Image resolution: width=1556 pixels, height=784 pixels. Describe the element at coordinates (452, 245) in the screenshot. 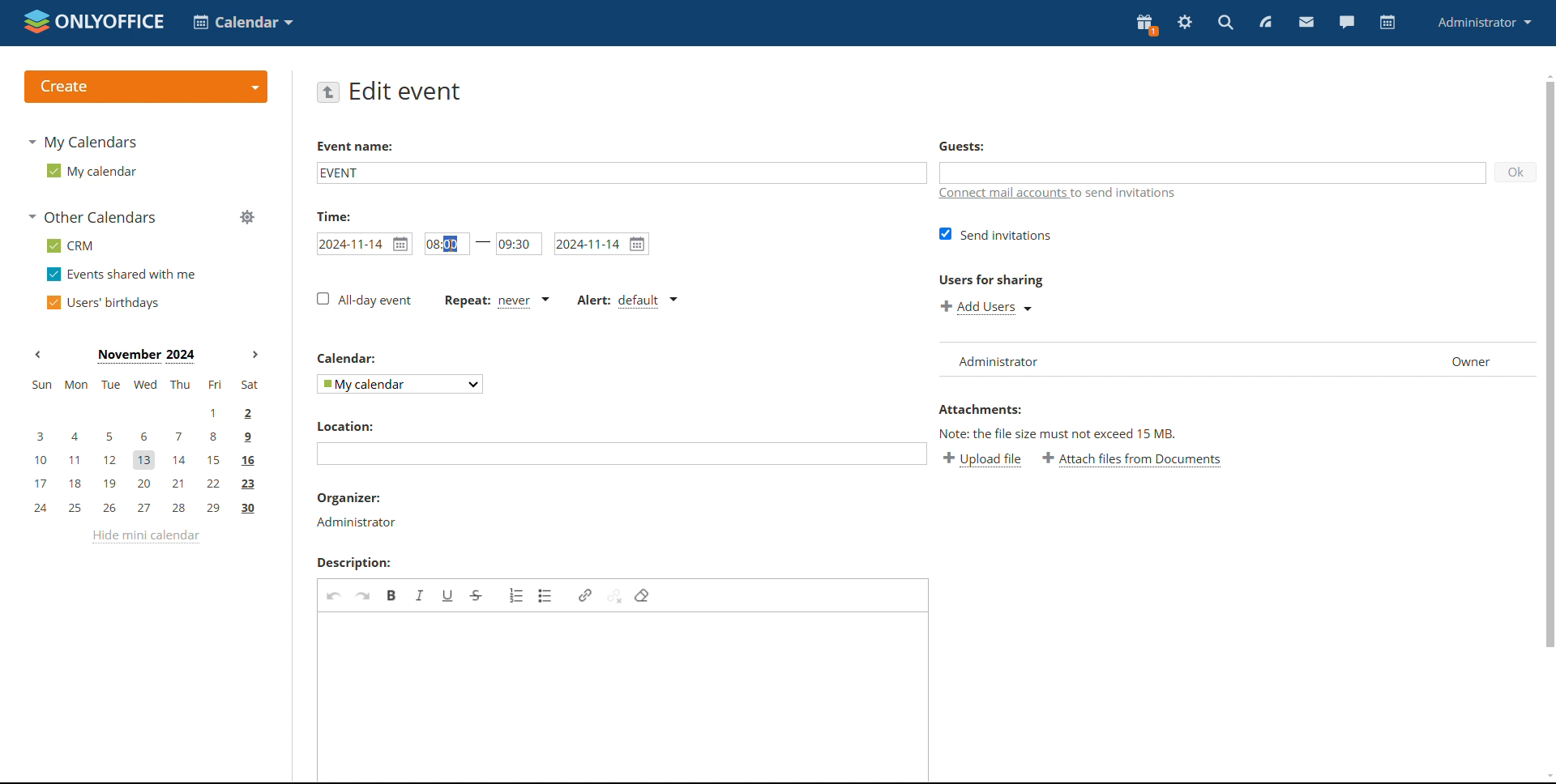

I see `cursor` at that location.